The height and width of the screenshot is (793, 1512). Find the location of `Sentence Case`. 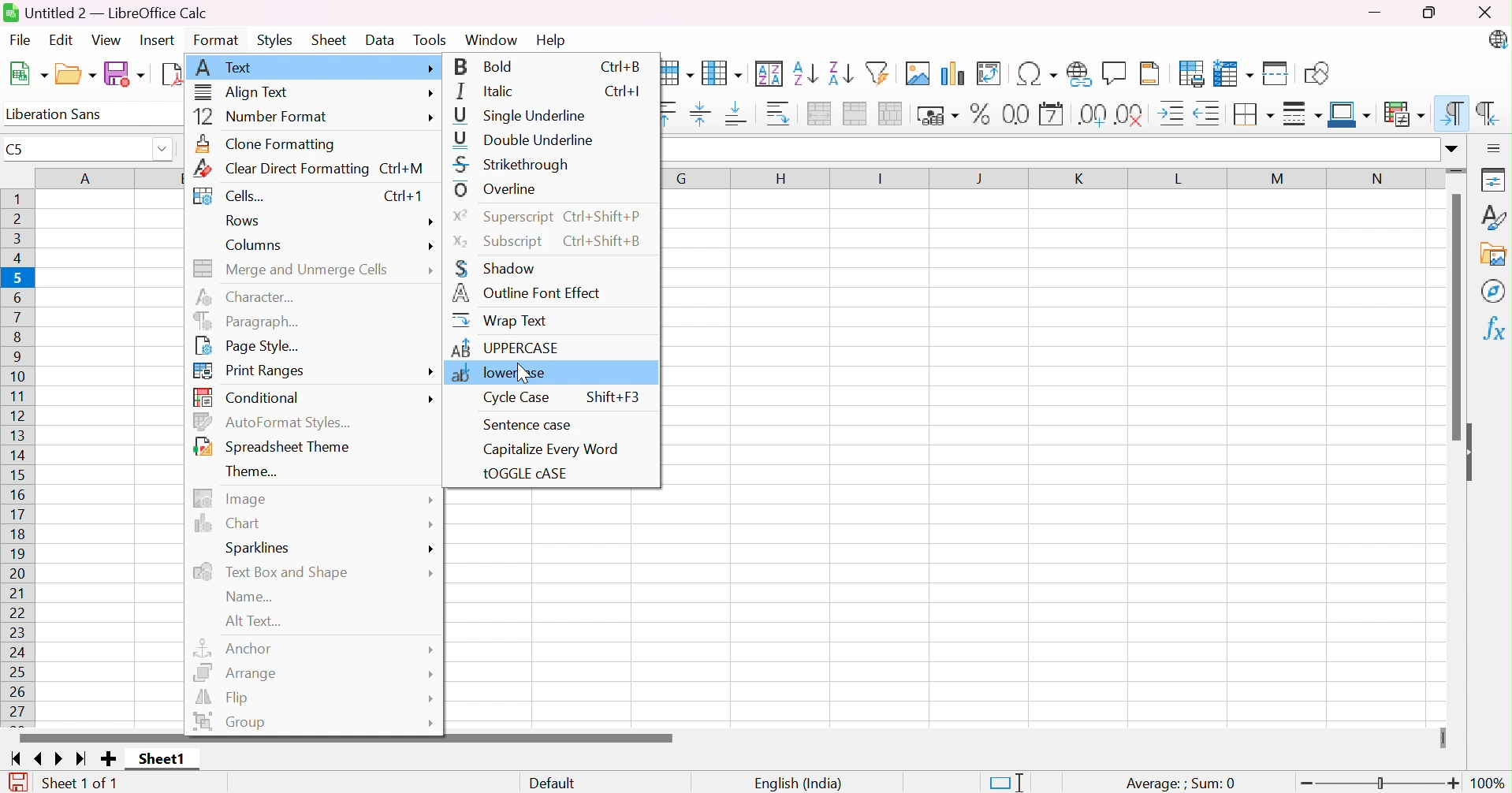

Sentence Case is located at coordinates (526, 425).